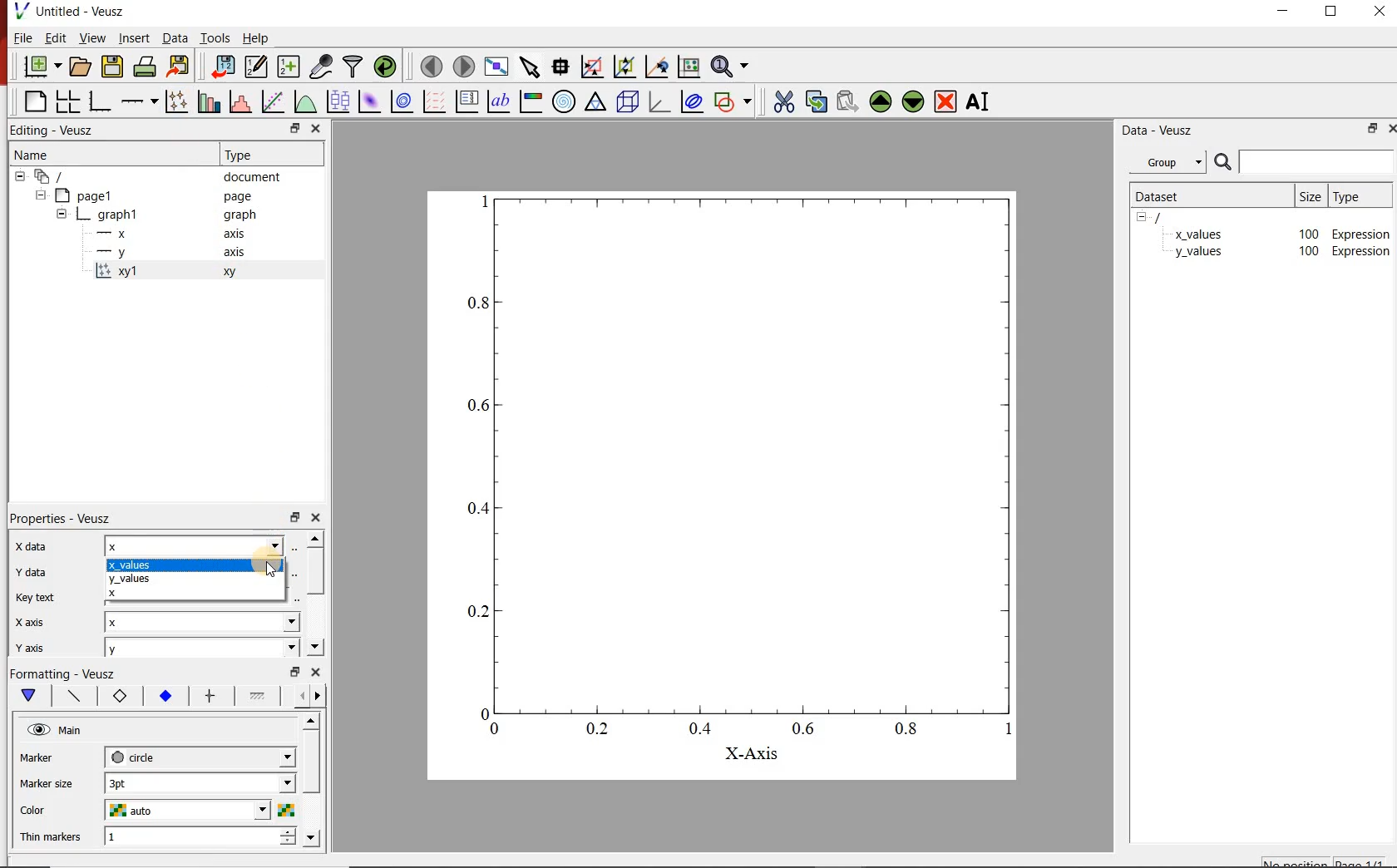 This screenshot has width=1397, height=868. Describe the element at coordinates (913, 104) in the screenshot. I see `move down the selected widget` at that location.